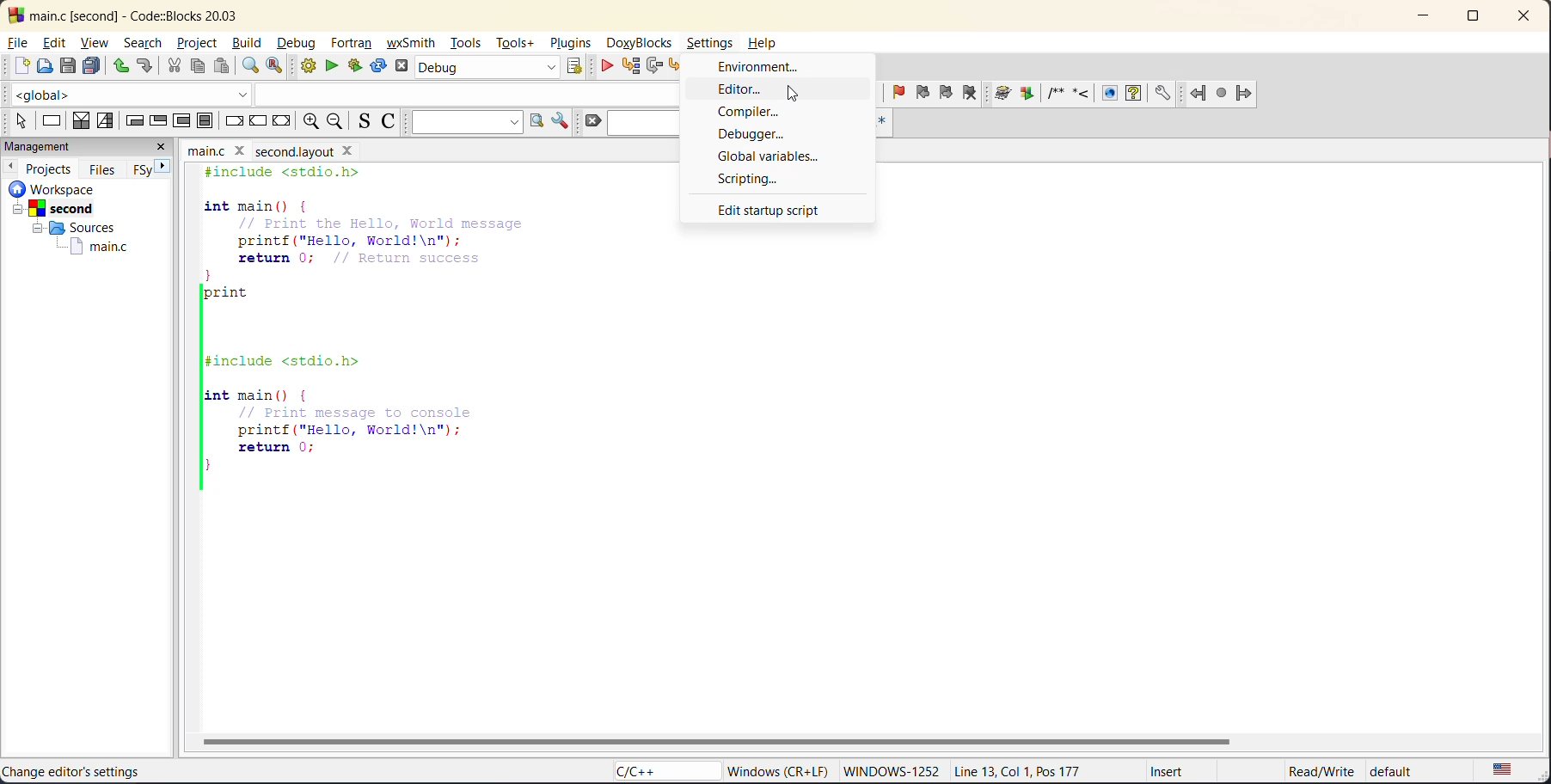 This screenshot has width=1551, height=784. Describe the element at coordinates (104, 168) in the screenshot. I see `files` at that location.